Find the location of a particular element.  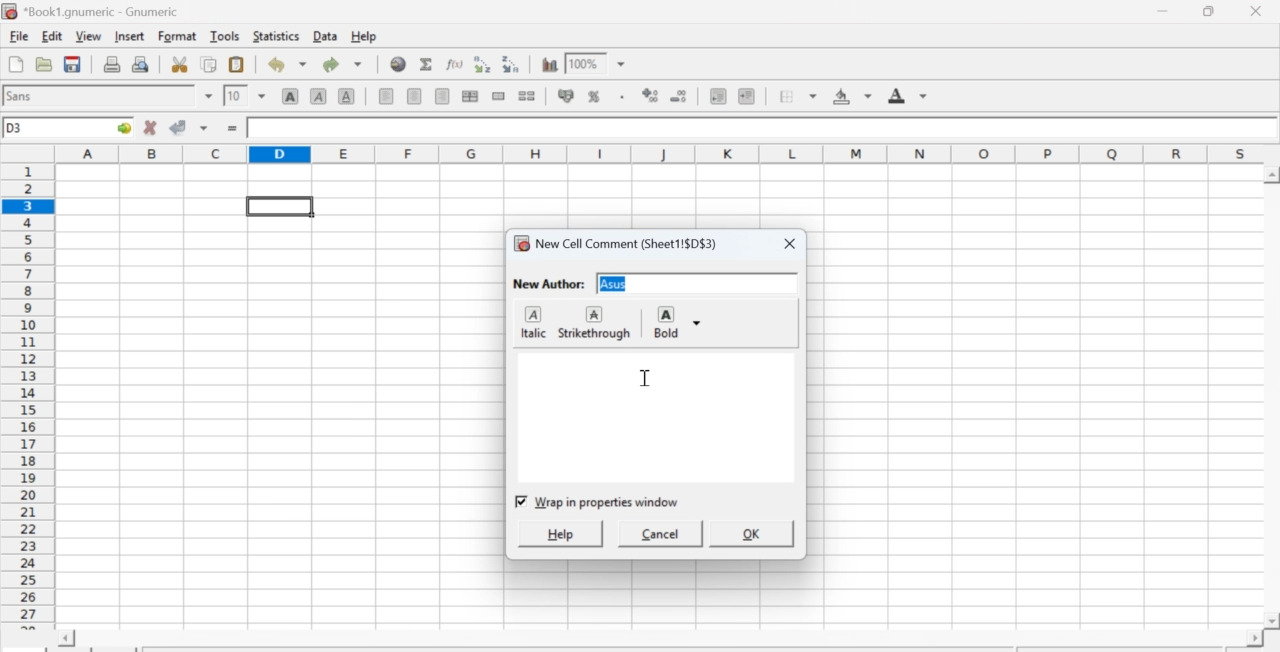

Underground is located at coordinates (346, 96).